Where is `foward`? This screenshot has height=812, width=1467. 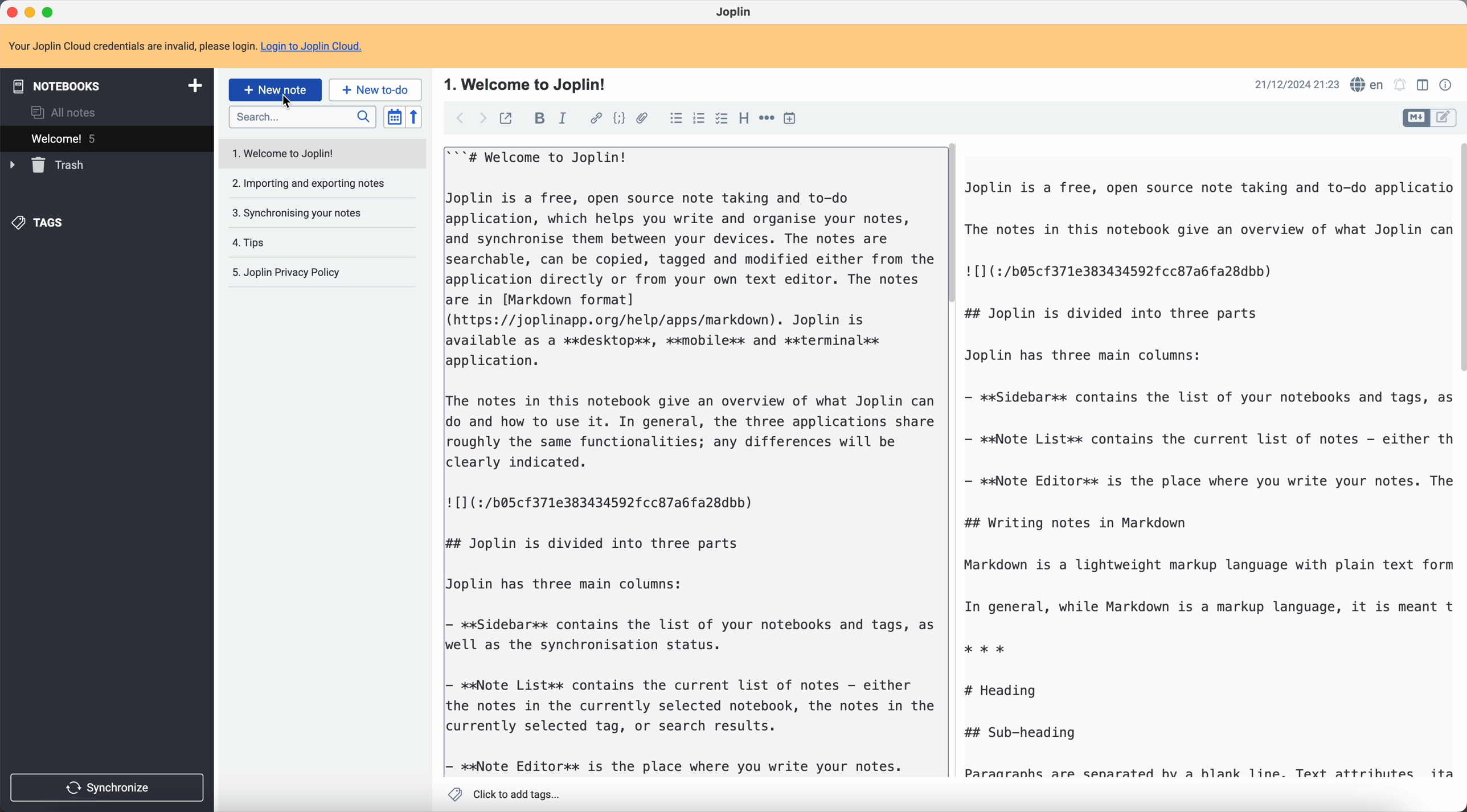 foward is located at coordinates (483, 119).